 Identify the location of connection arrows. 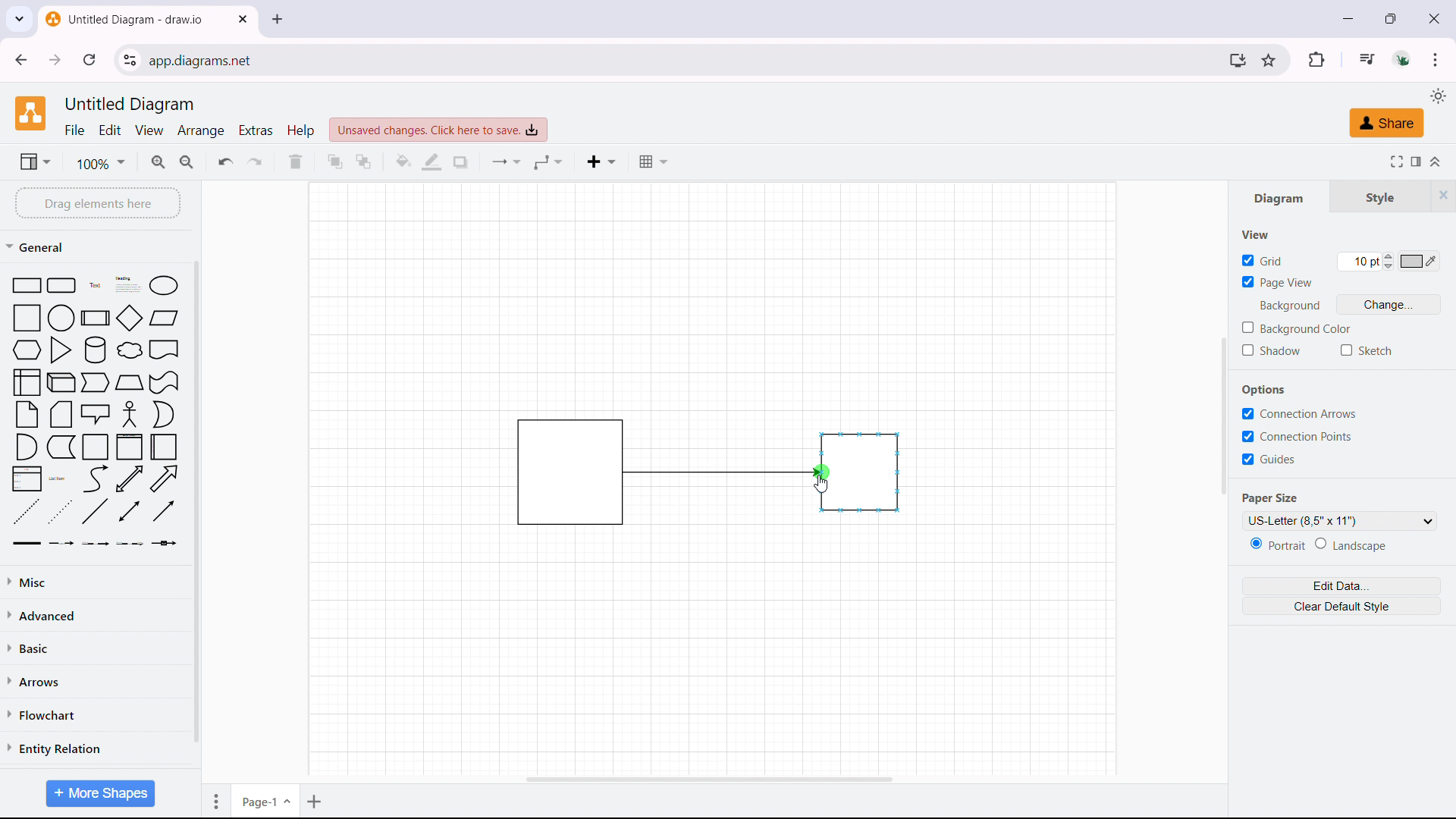
(1300, 413).